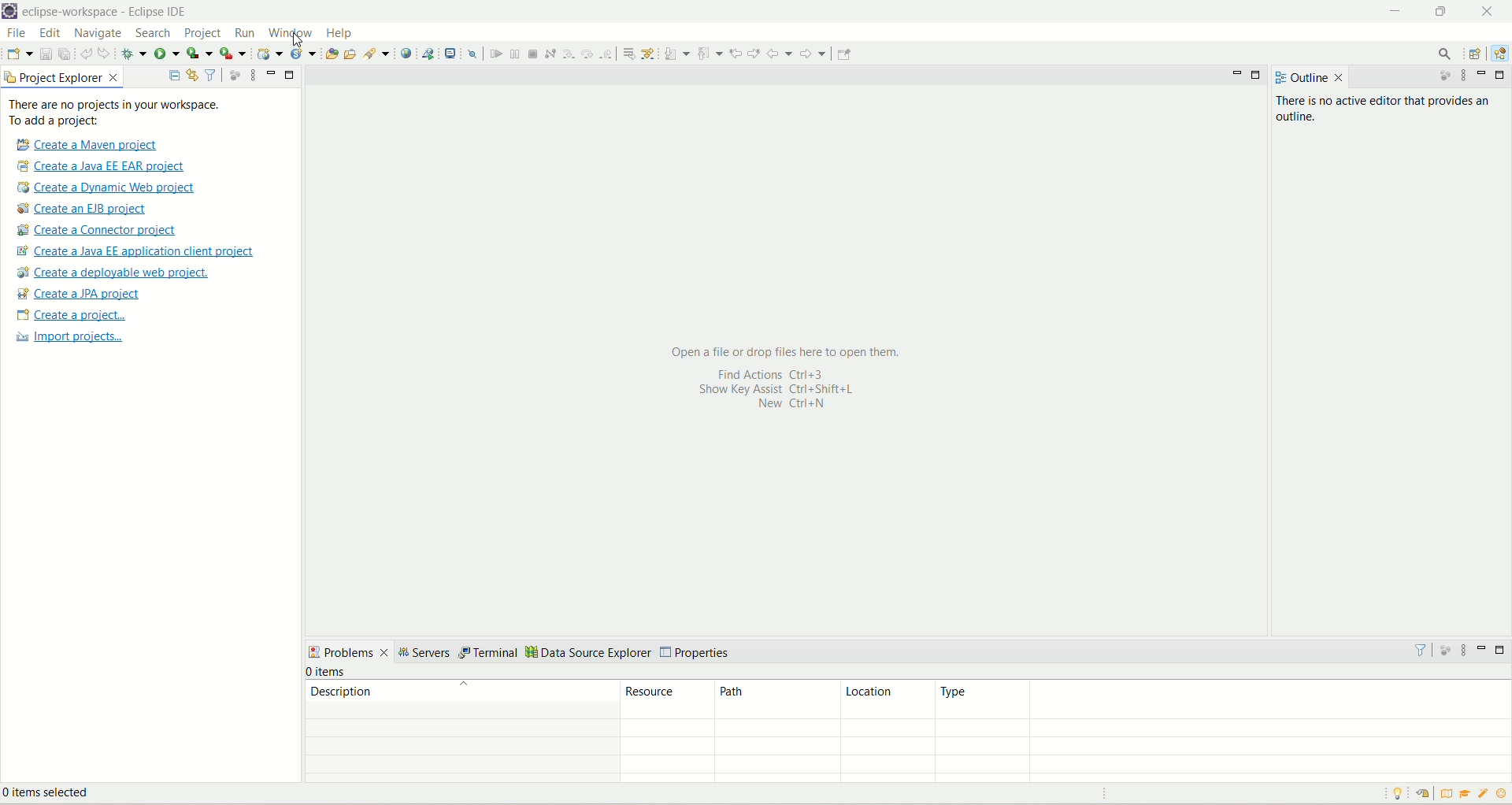 The width and height of the screenshot is (1512, 805). What do you see at coordinates (1444, 14) in the screenshot?
I see `maximize` at bounding box center [1444, 14].